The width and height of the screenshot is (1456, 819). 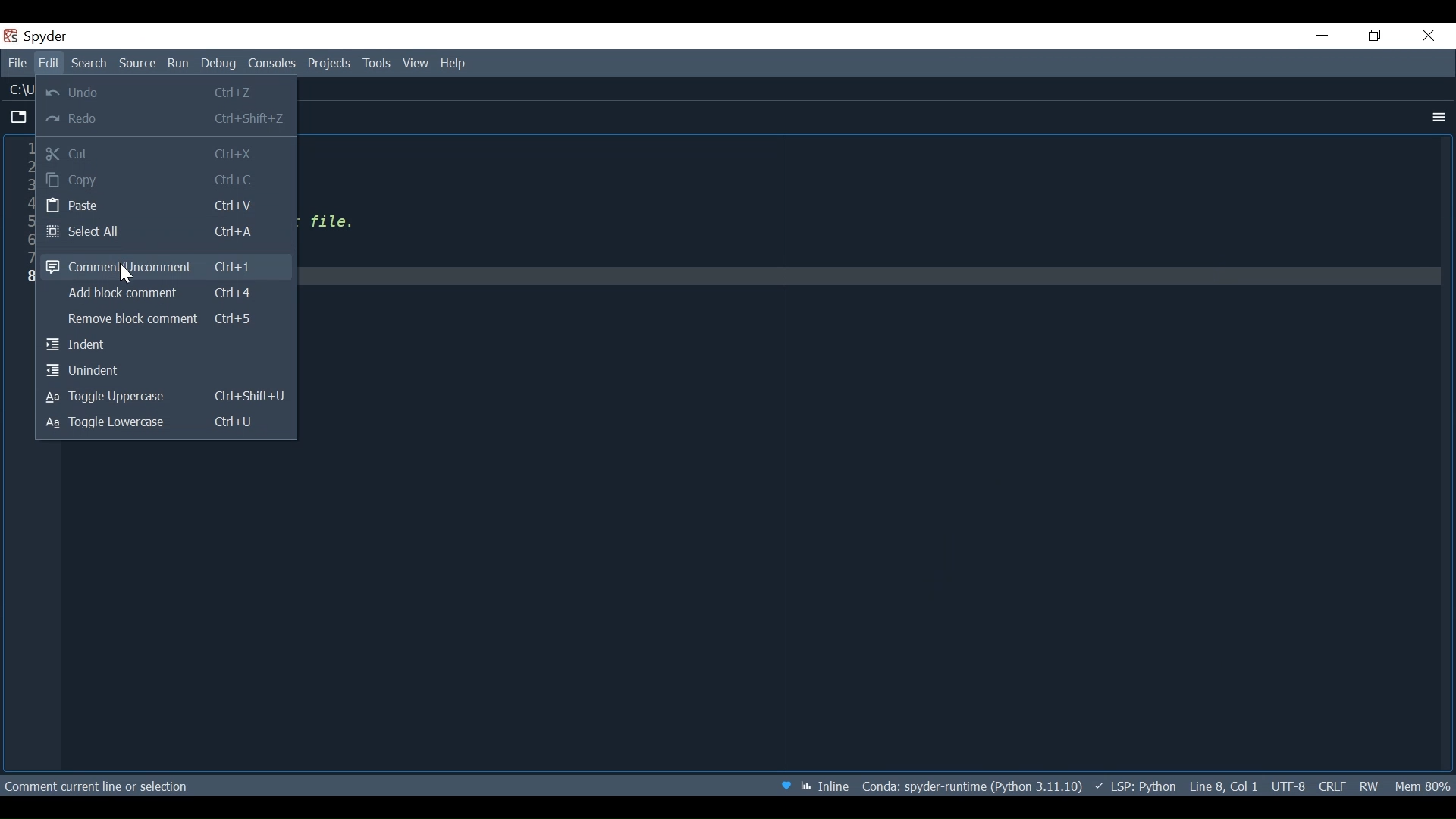 What do you see at coordinates (784, 786) in the screenshot?
I see `Help Spyder` at bounding box center [784, 786].